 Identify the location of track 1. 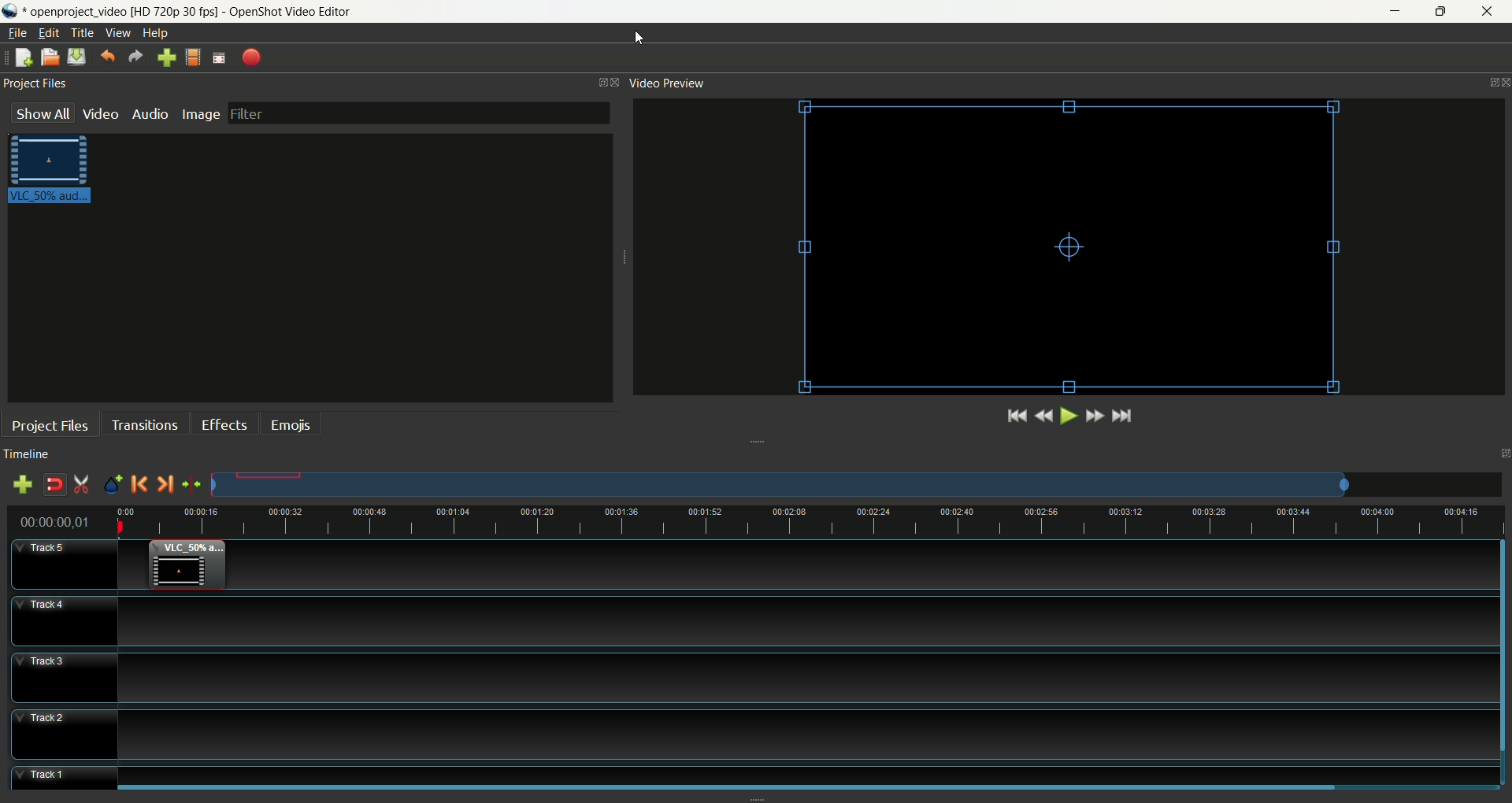
(757, 776).